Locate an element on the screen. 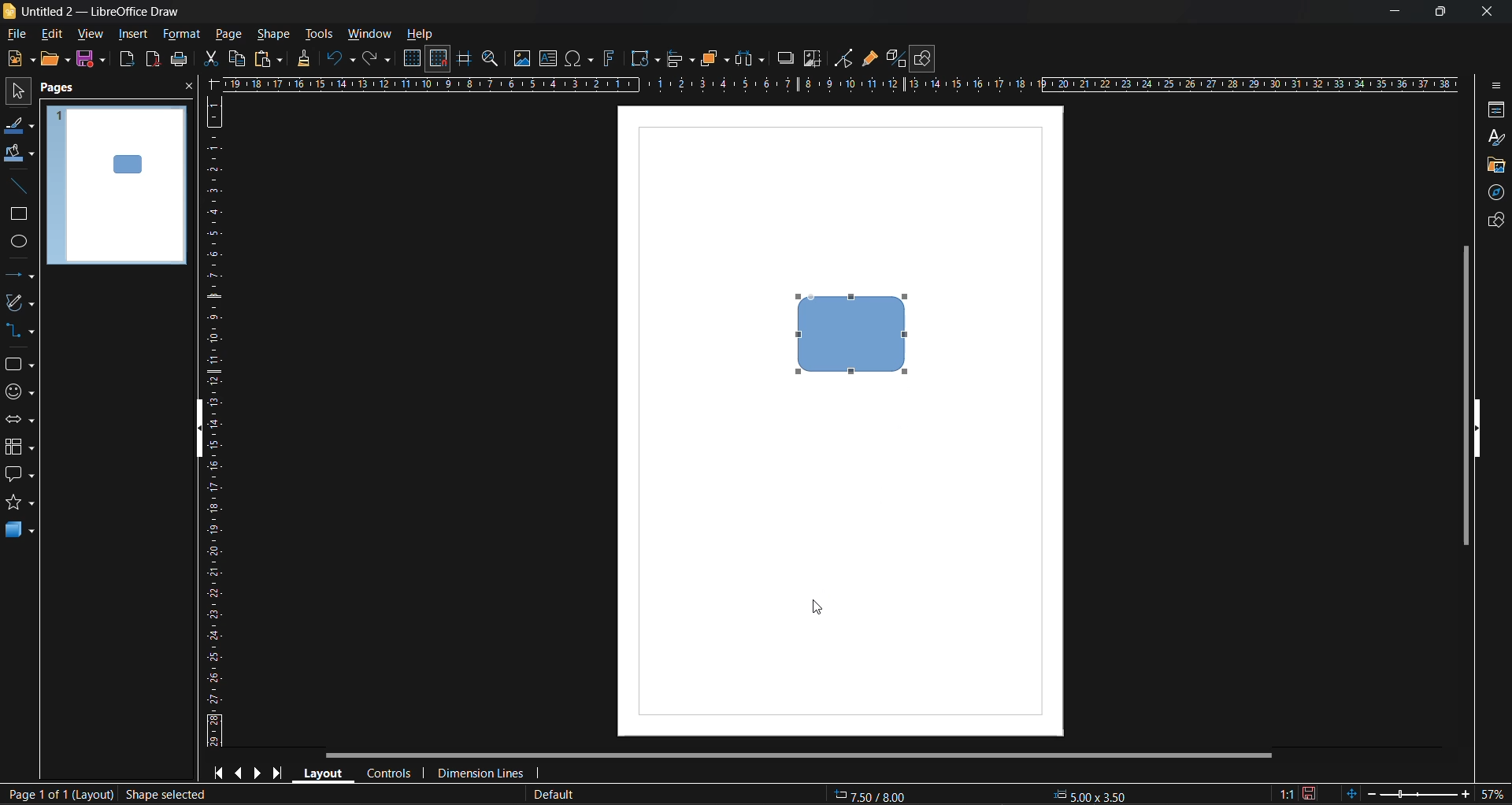 The height and width of the screenshot is (805, 1512). close is located at coordinates (189, 87).